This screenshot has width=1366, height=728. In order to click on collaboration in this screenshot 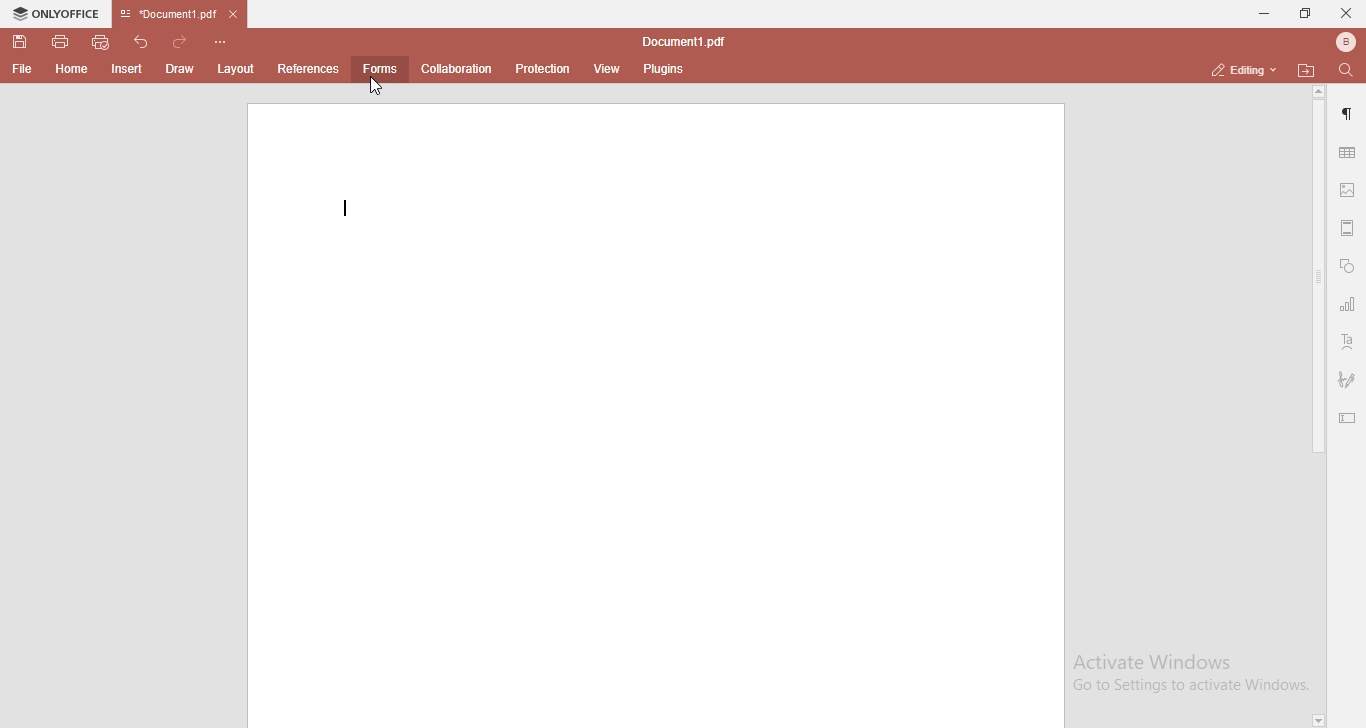, I will do `click(461, 67)`.